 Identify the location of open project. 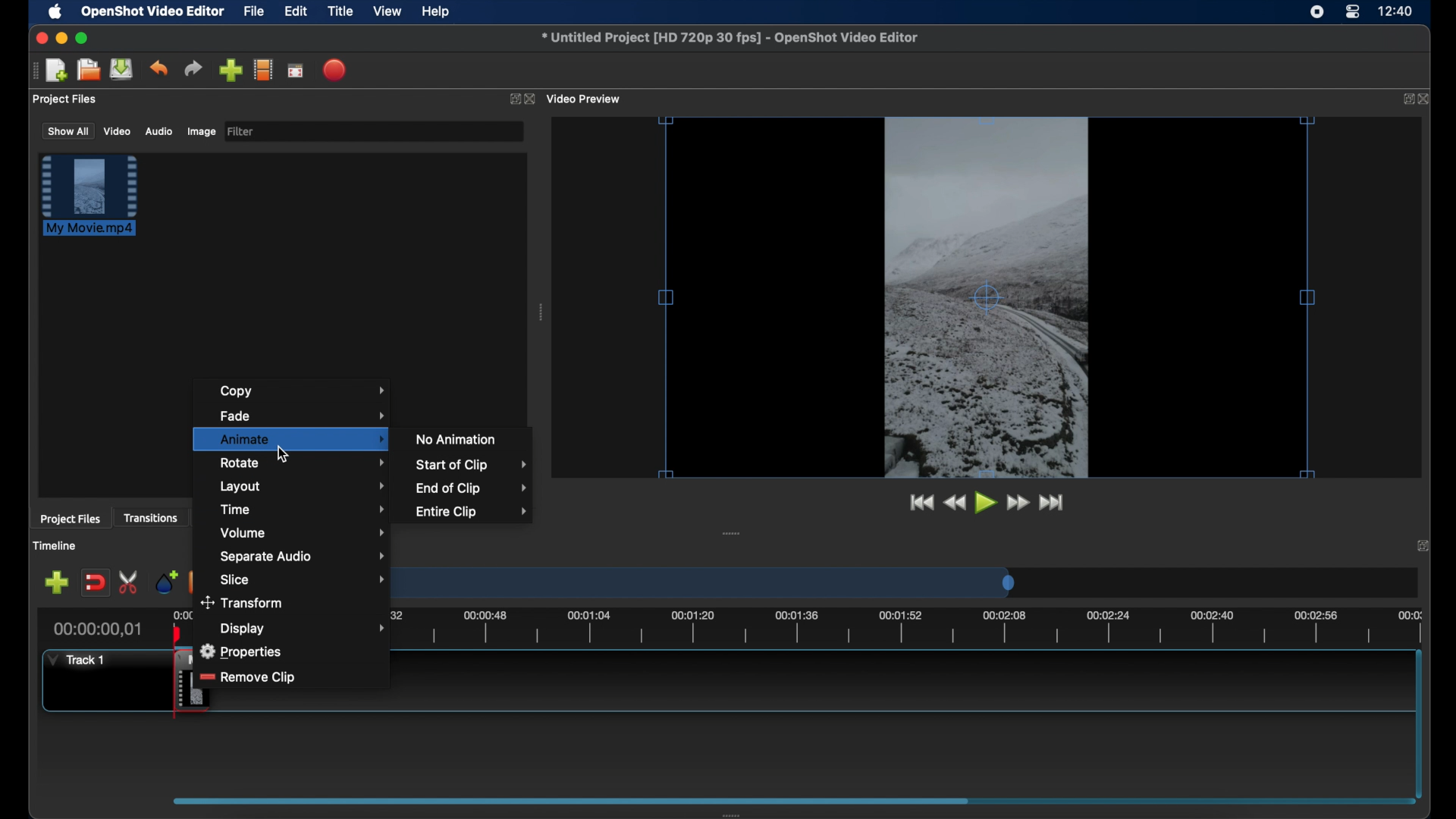
(88, 70).